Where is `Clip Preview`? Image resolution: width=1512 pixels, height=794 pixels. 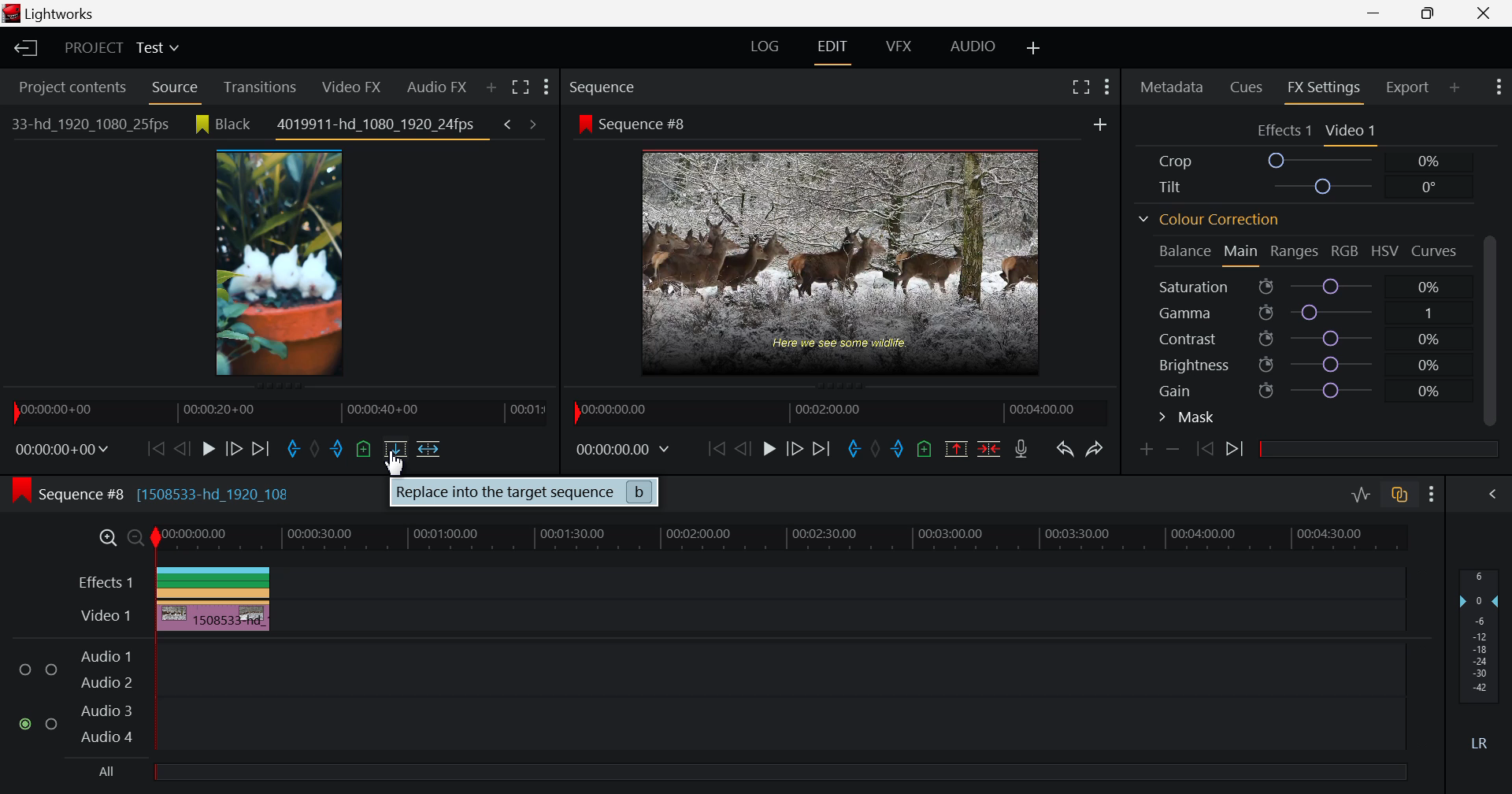 Clip Preview is located at coordinates (287, 265).